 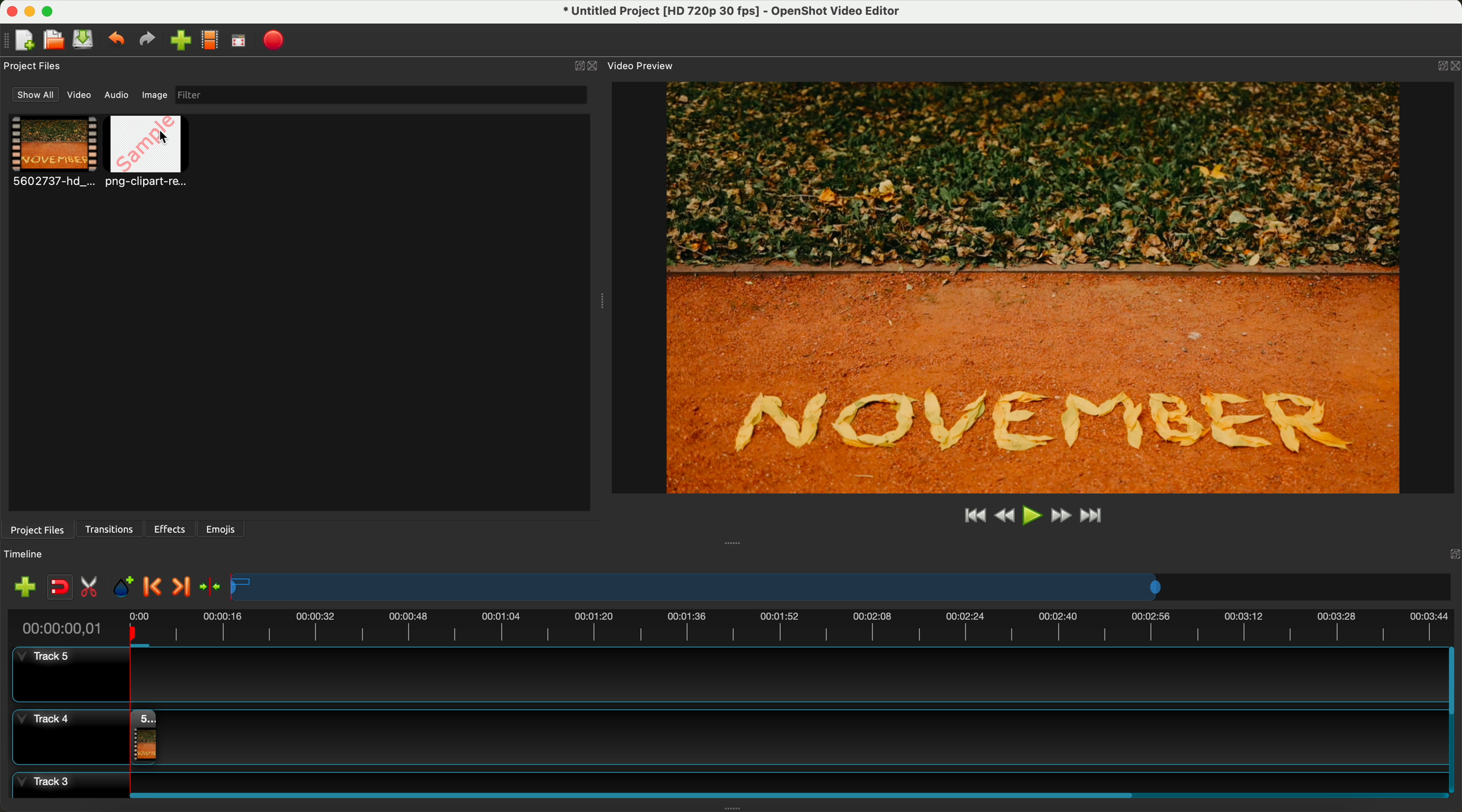 I want to click on fast foward, so click(x=1060, y=517).